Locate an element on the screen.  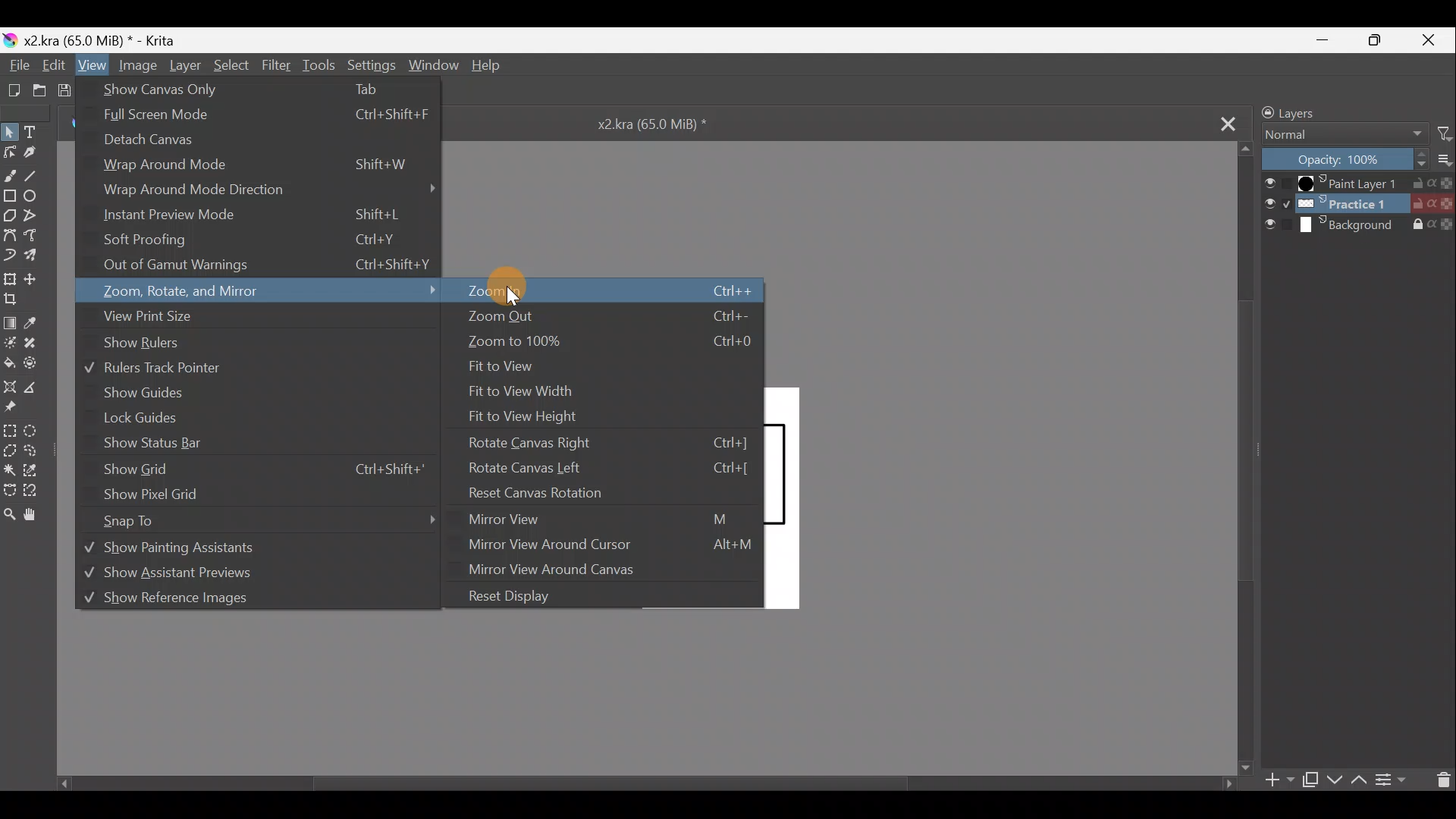
Instant preview mode Shift+L is located at coordinates (260, 213).